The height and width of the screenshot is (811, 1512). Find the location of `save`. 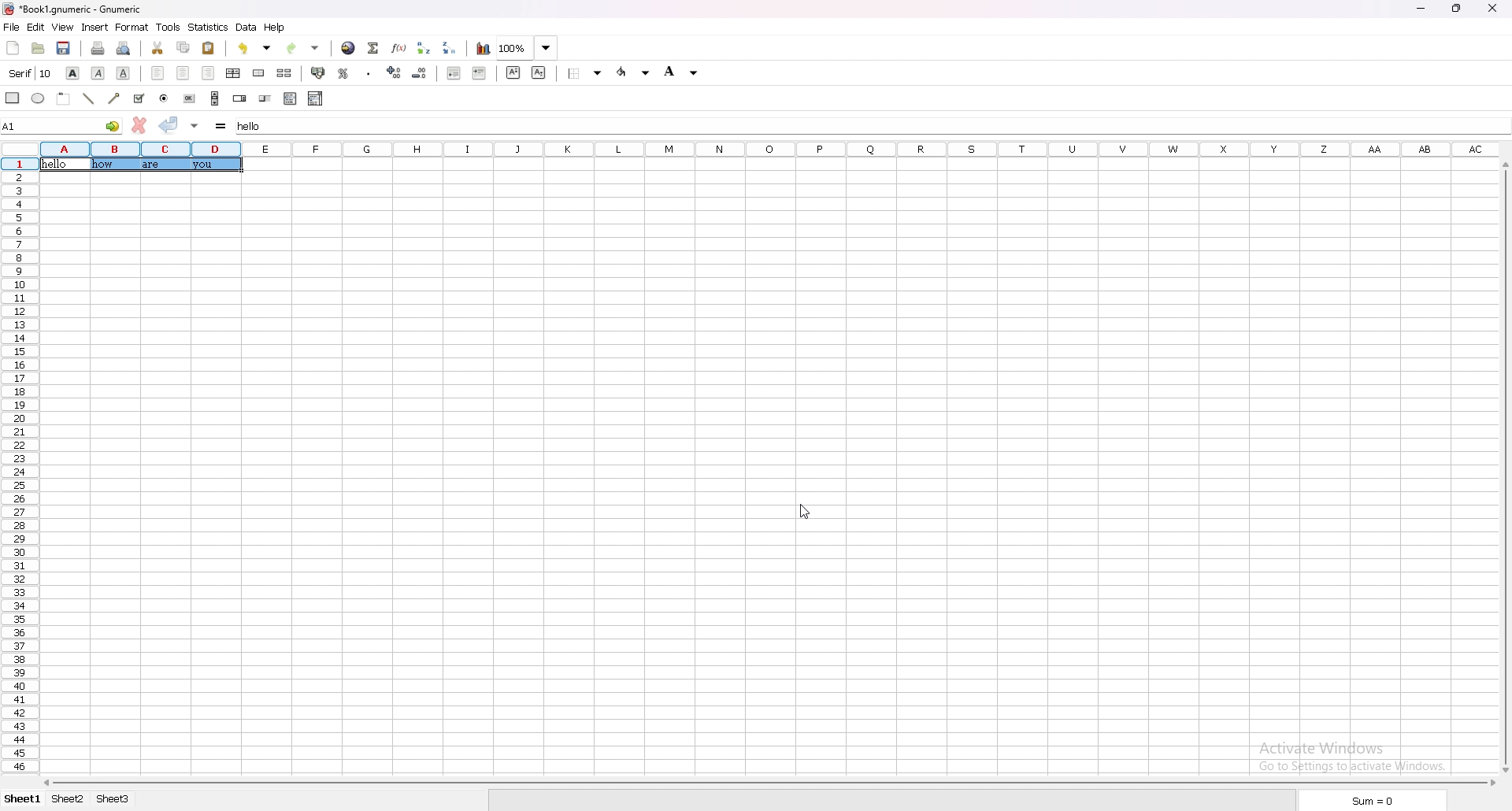

save is located at coordinates (65, 48).